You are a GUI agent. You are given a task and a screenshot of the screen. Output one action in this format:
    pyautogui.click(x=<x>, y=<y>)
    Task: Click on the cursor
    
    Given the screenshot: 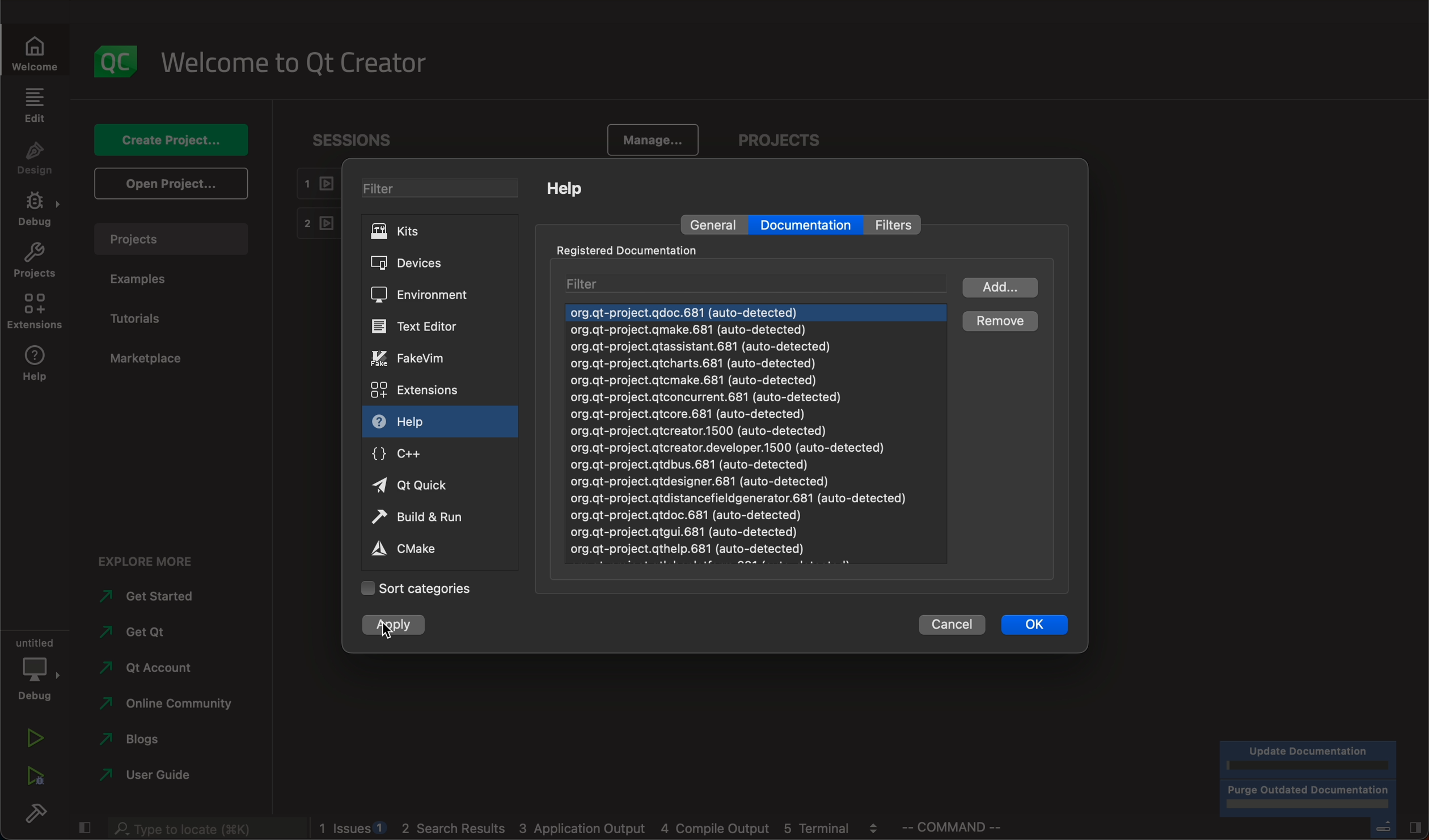 What is the action you would take?
    pyautogui.click(x=1000, y=325)
    